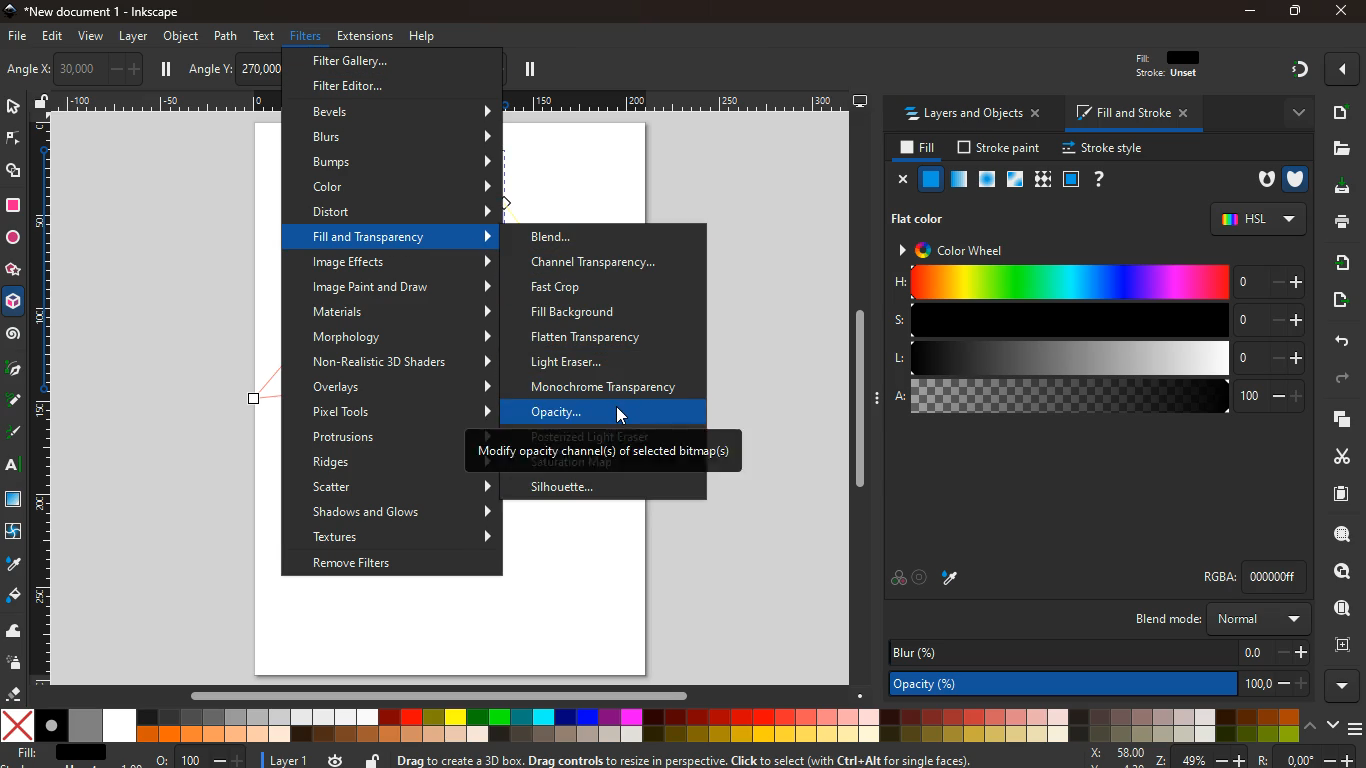  I want to click on select, so click(12, 108).